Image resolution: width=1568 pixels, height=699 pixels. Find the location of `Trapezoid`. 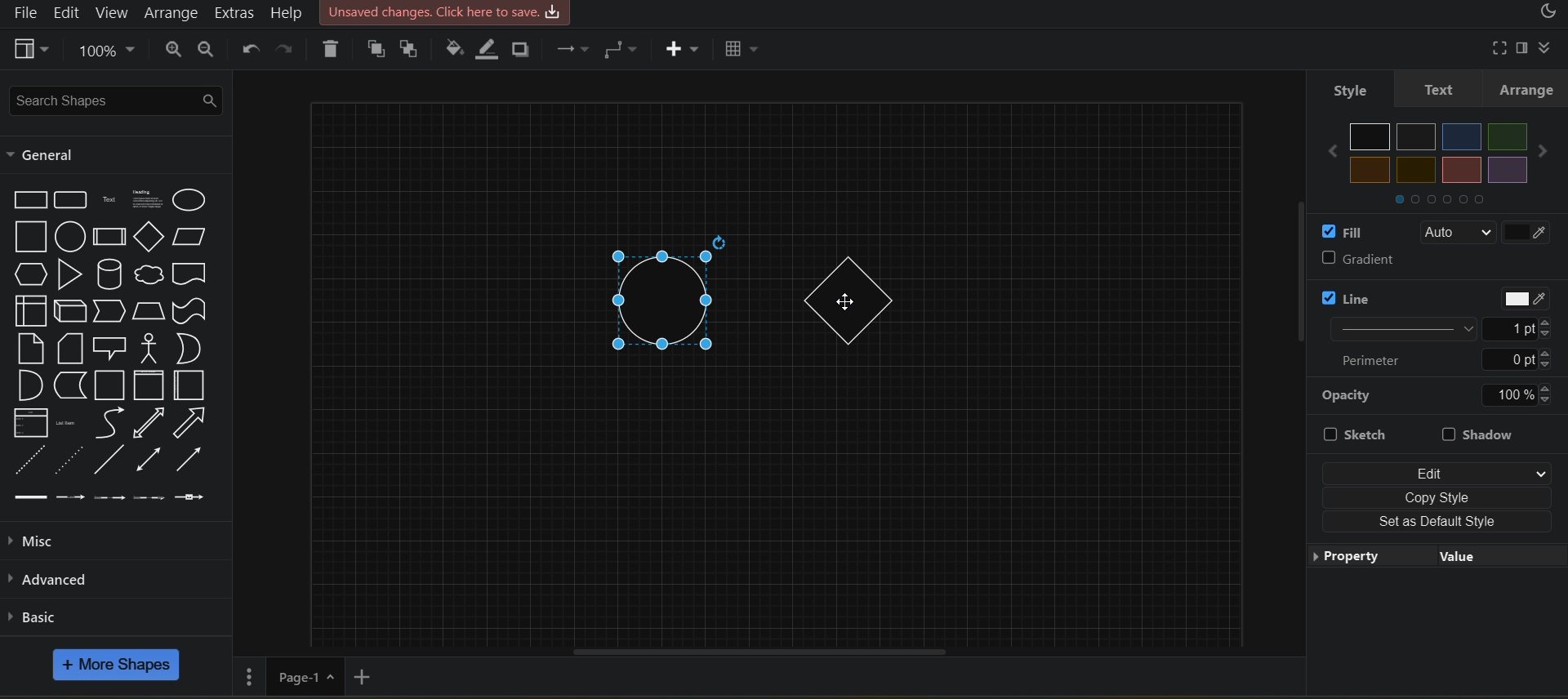

Trapezoid is located at coordinates (148, 311).